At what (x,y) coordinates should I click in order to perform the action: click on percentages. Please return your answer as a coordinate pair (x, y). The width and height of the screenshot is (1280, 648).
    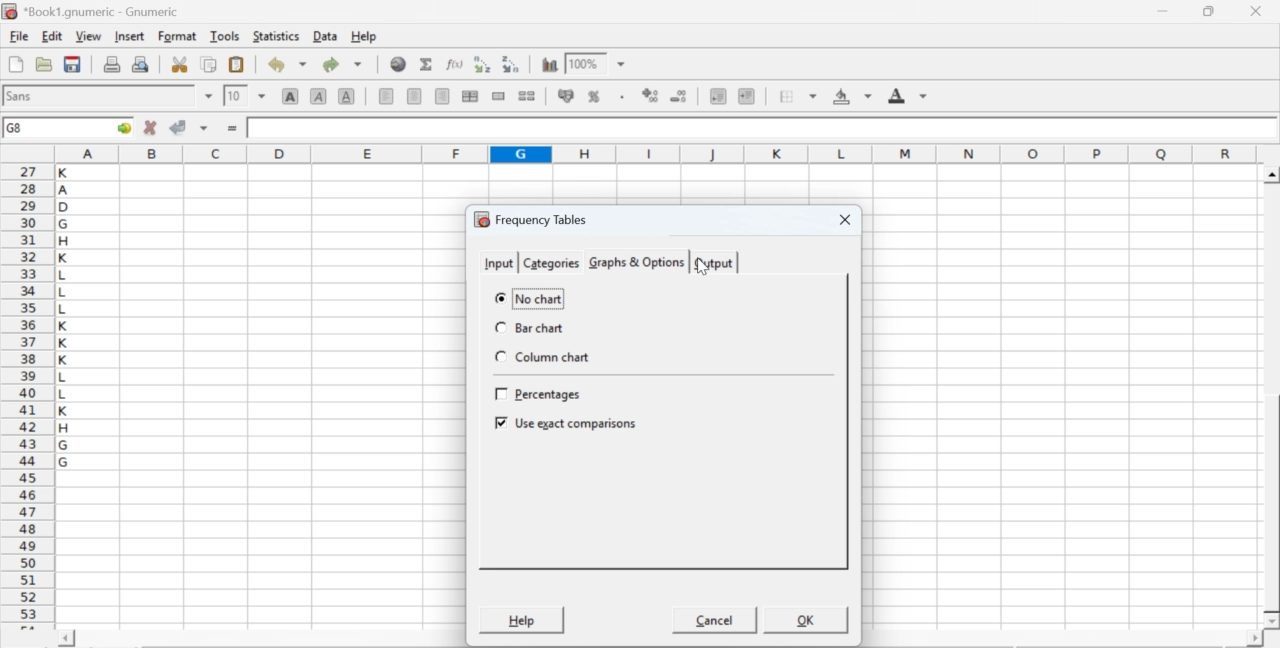
    Looking at the image, I should click on (541, 396).